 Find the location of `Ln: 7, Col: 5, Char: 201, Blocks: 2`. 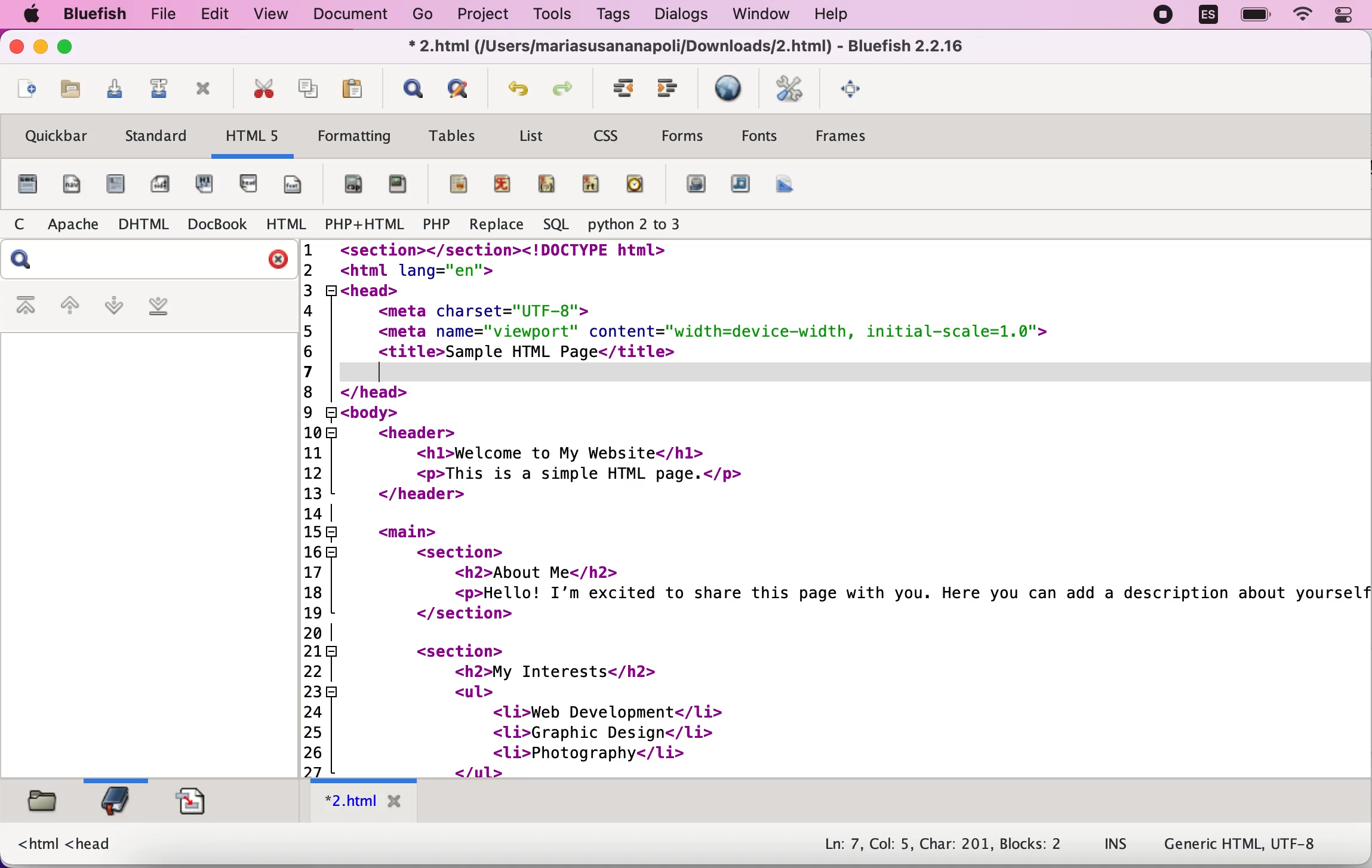

Ln: 7, Col: 5, Char: 201, Blocks: 2 is located at coordinates (940, 842).